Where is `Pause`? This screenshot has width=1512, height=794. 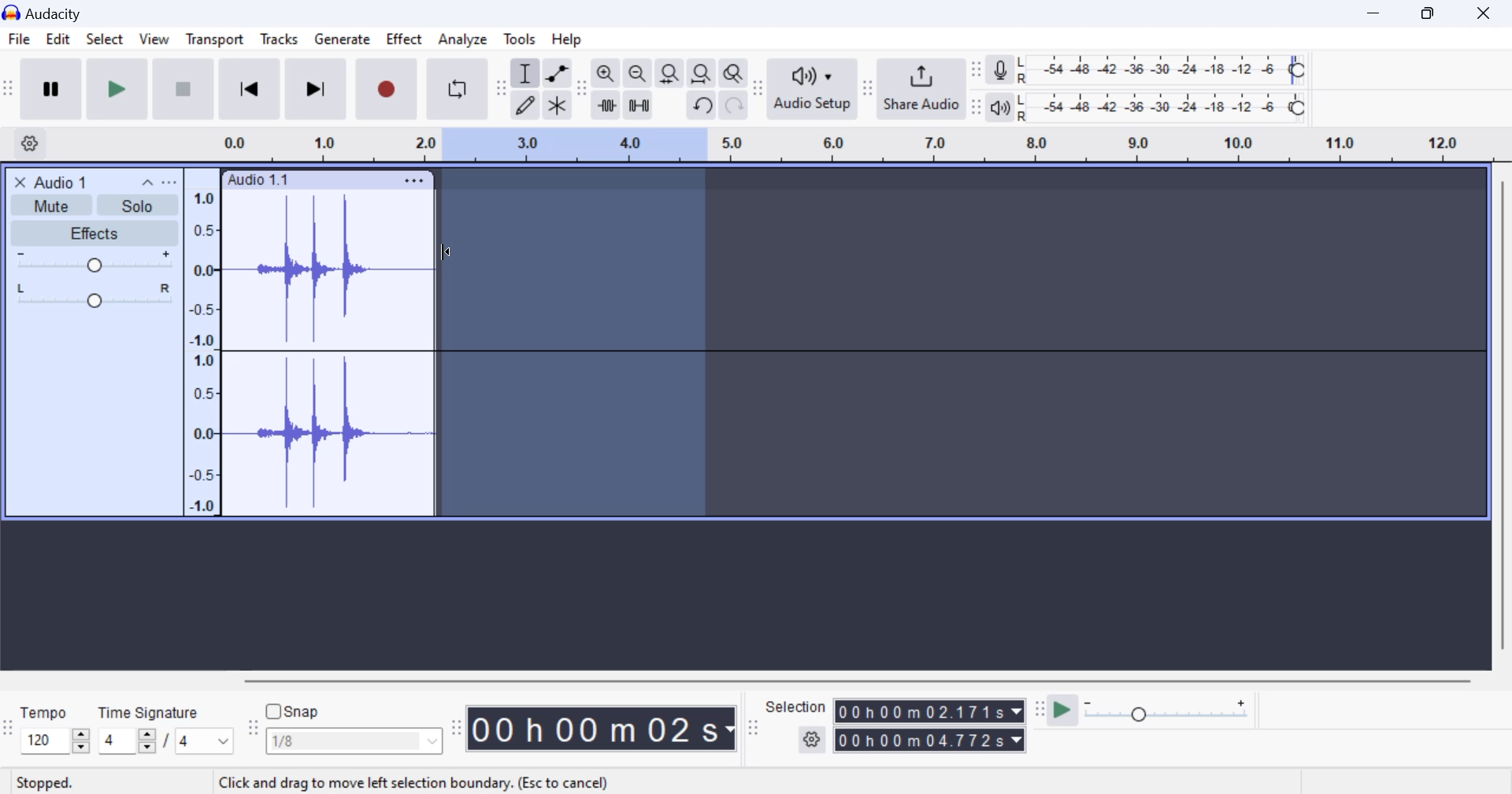
Pause is located at coordinates (50, 89).